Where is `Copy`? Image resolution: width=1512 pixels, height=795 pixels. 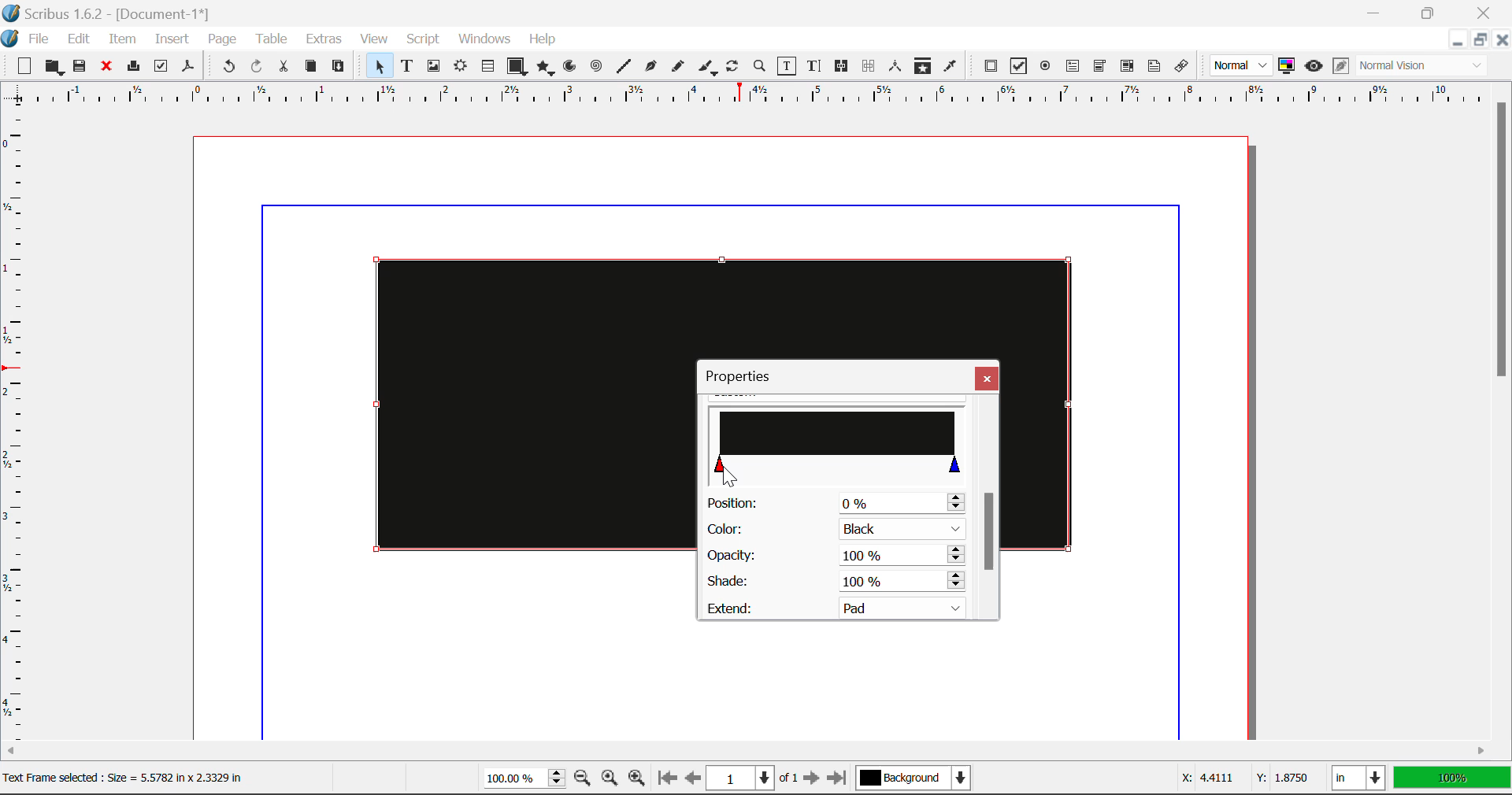
Copy is located at coordinates (312, 66).